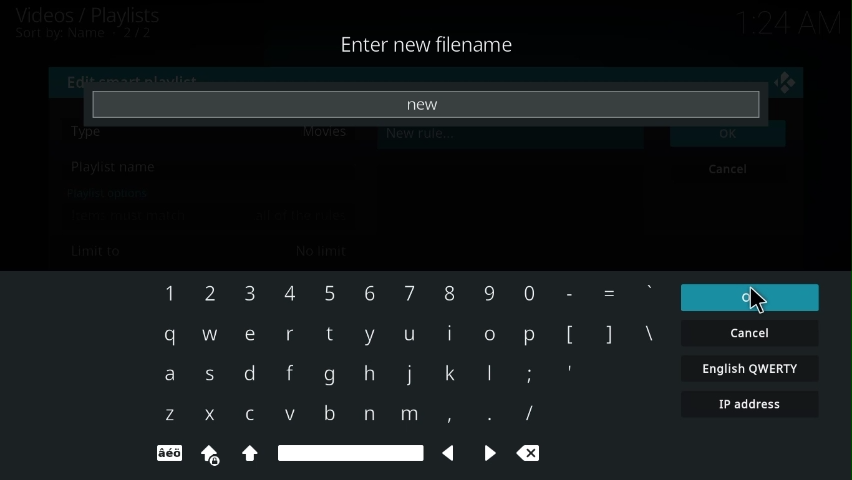 This screenshot has width=852, height=480. What do you see at coordinates (330, 293) in the screenshot?
I see `5` at bounding box center [330, 293].